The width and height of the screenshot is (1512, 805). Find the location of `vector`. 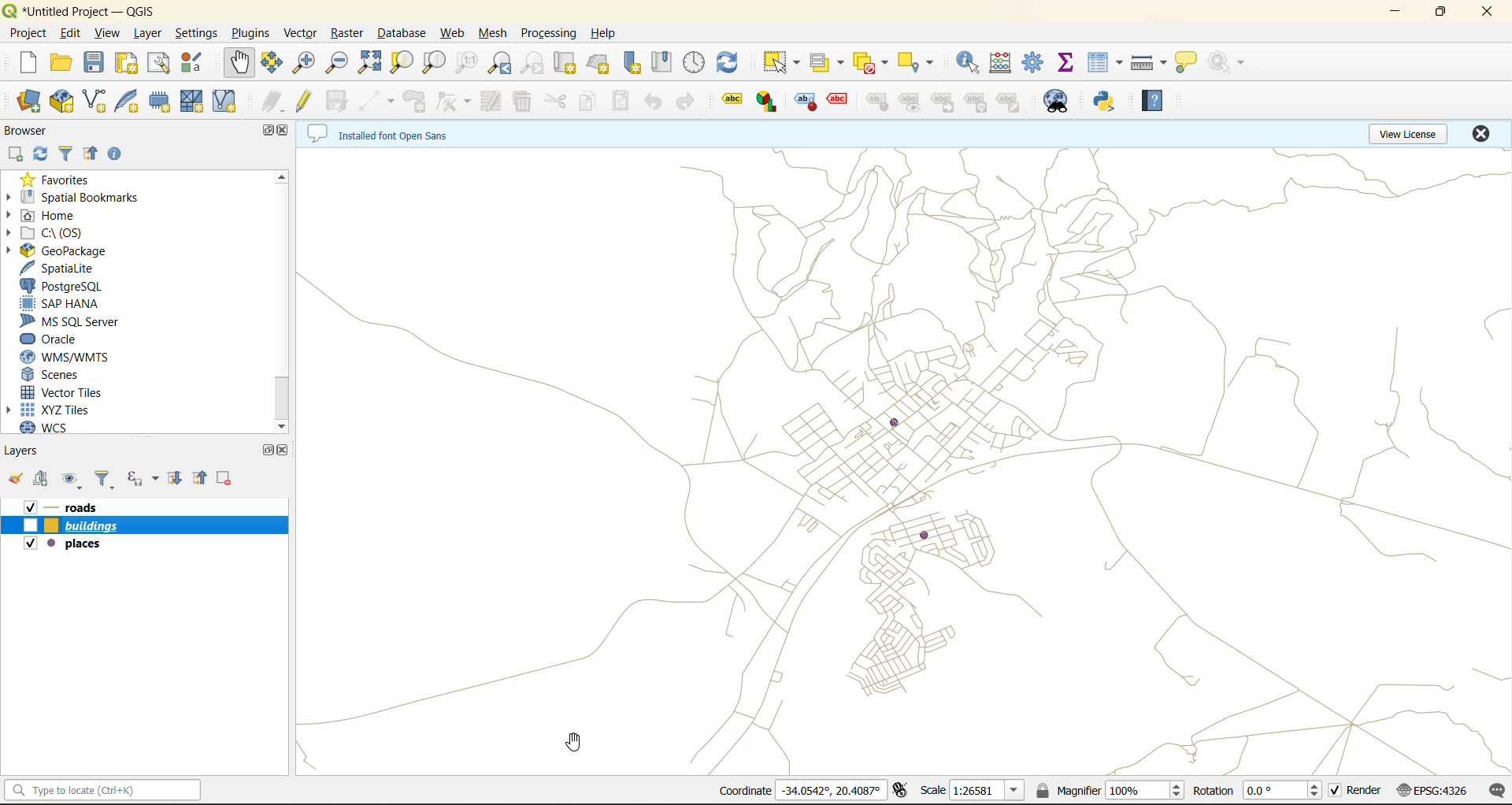

vector is located at coordinates (302, 34).